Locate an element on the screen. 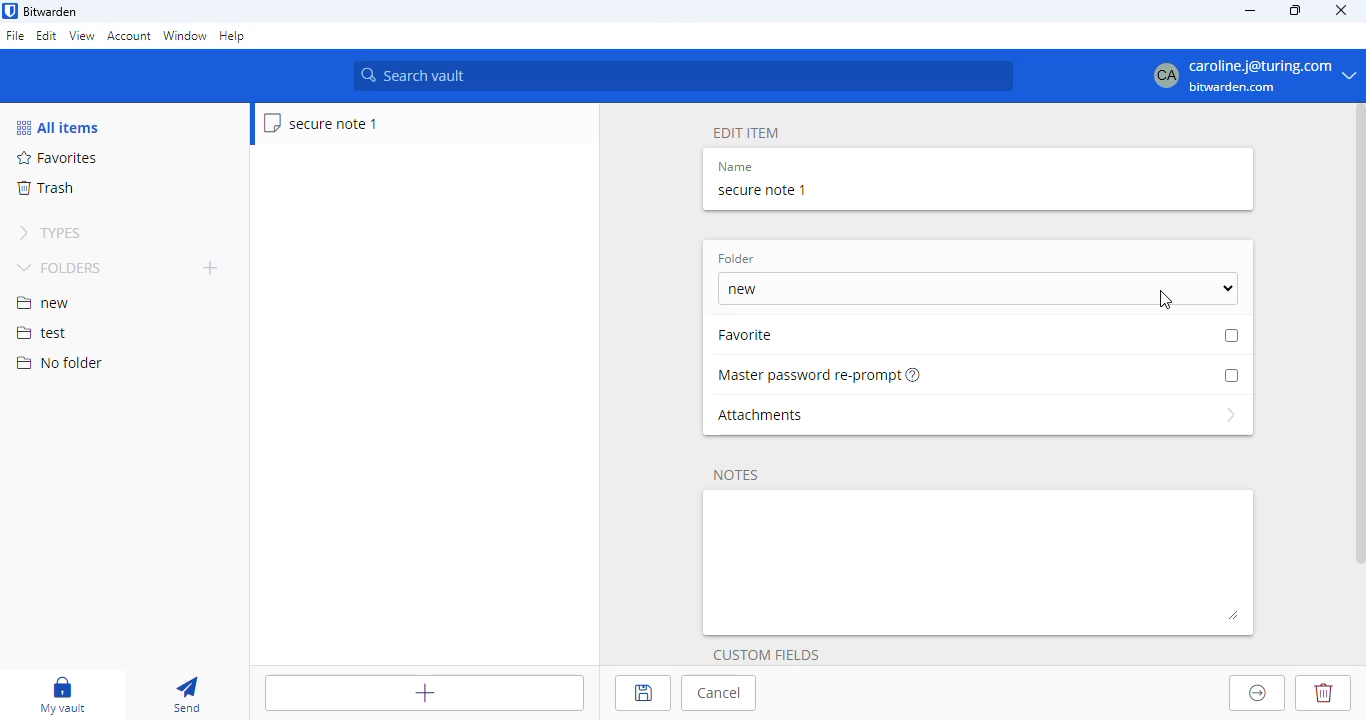  attachments is located at coordinates (978, 415).